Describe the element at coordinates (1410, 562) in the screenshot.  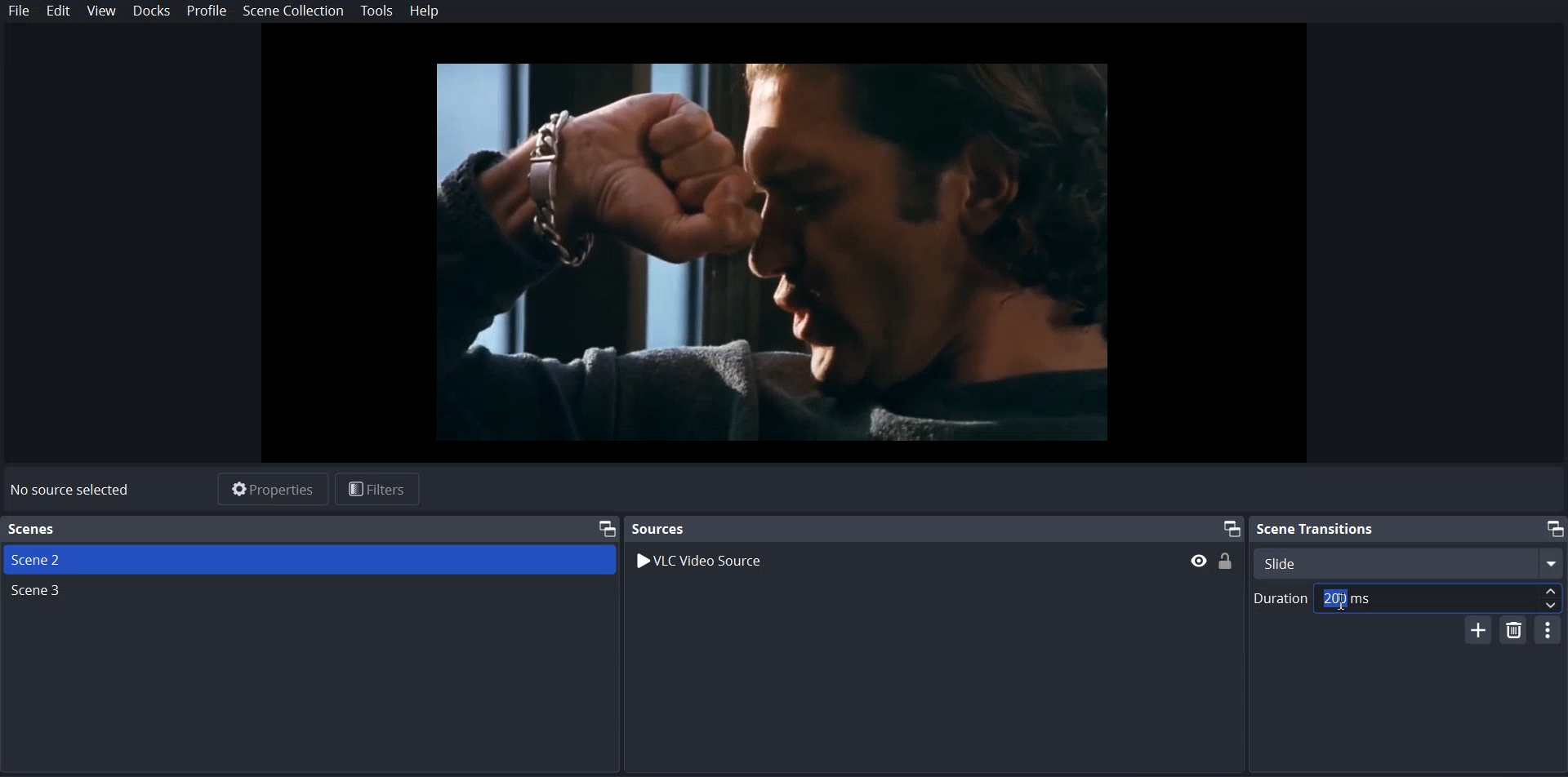
I see `Select Scene Transition` at that location.